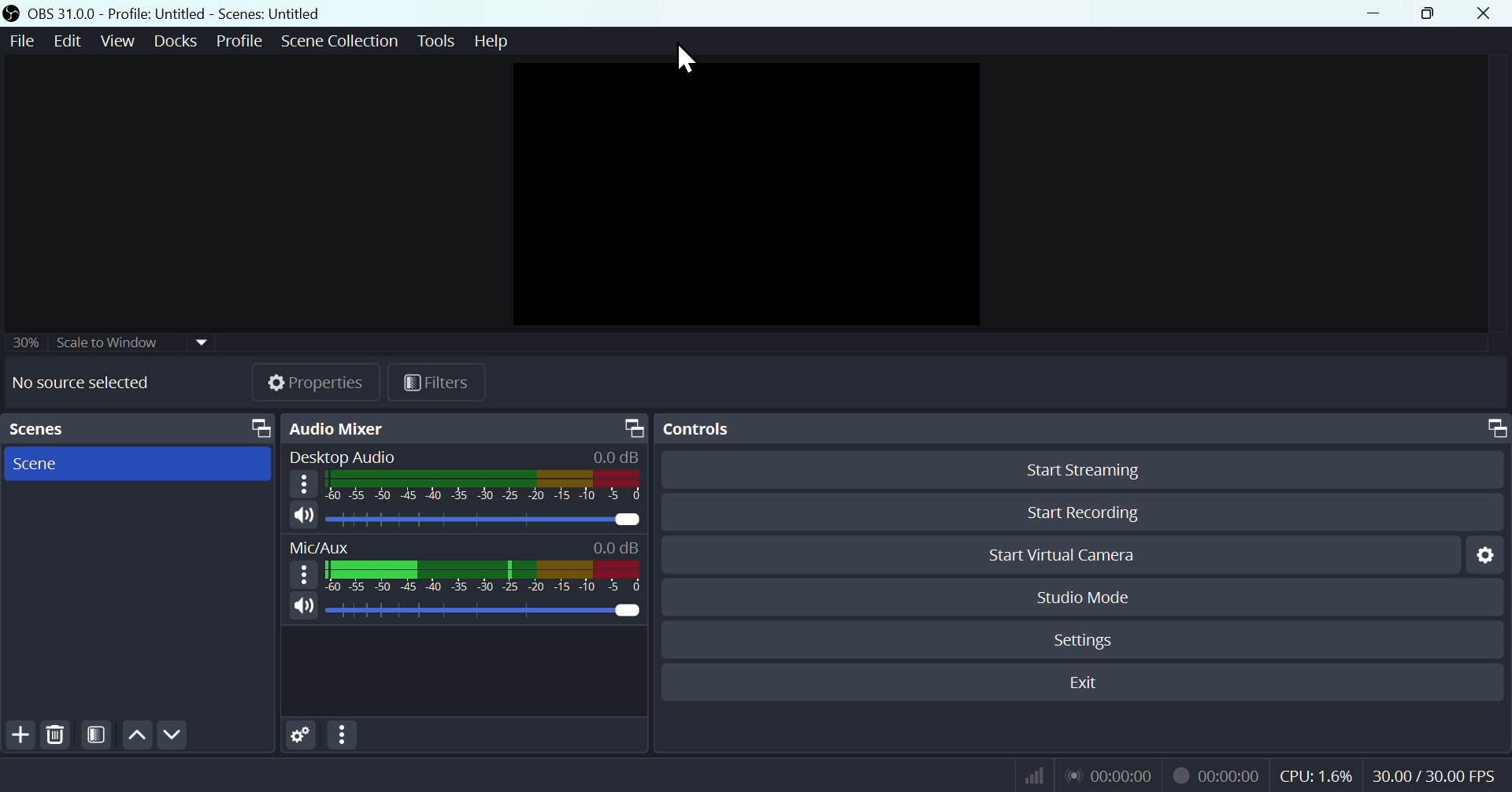 This screenshot has height=792, width=1512. What do you see at coordinates (1434, 14) in the screenshot?
I see `Maximise` at bounding box center [1434, 14].